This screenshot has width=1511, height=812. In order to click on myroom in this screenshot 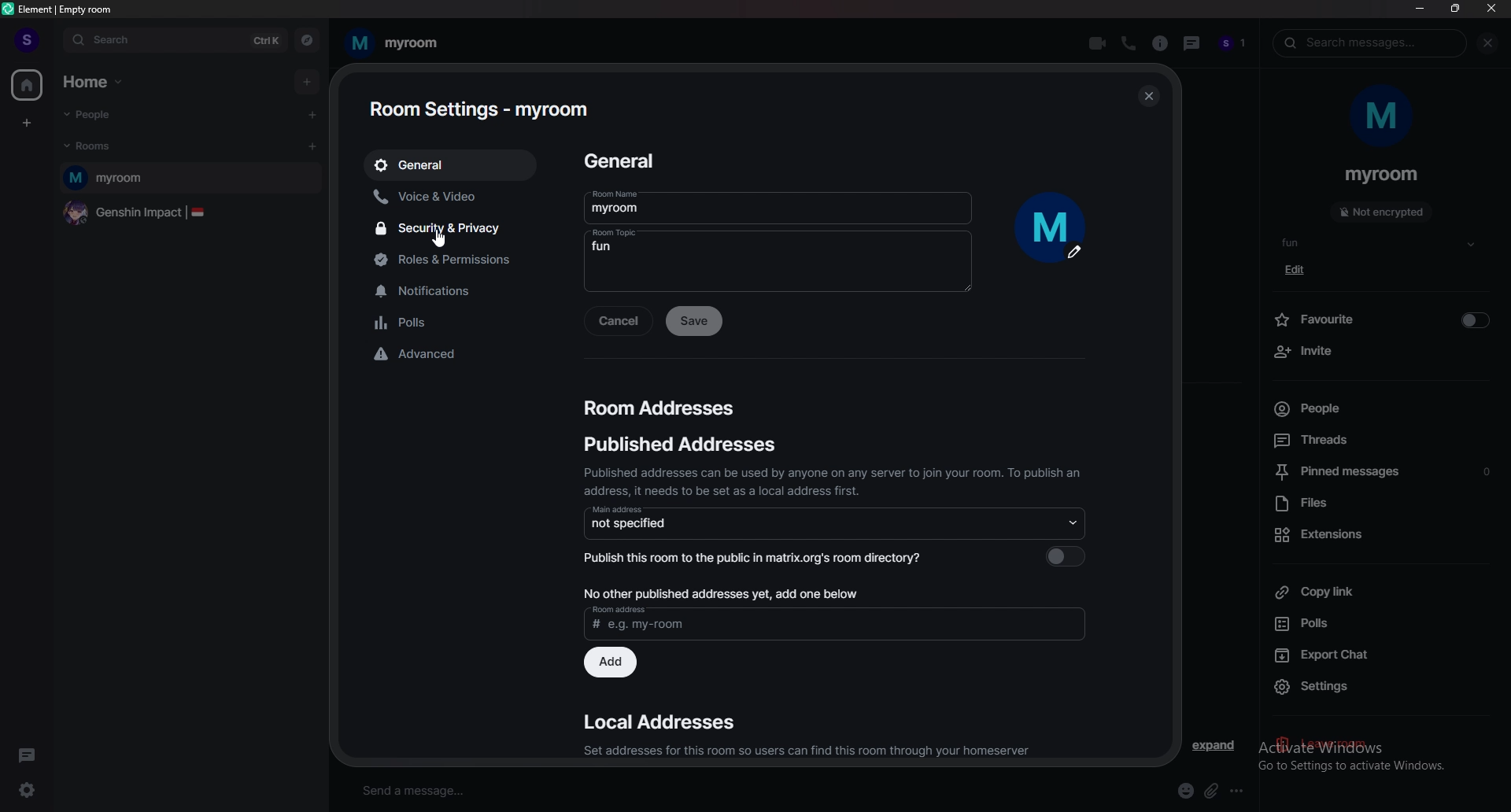, I will do `click(192, 179)`.